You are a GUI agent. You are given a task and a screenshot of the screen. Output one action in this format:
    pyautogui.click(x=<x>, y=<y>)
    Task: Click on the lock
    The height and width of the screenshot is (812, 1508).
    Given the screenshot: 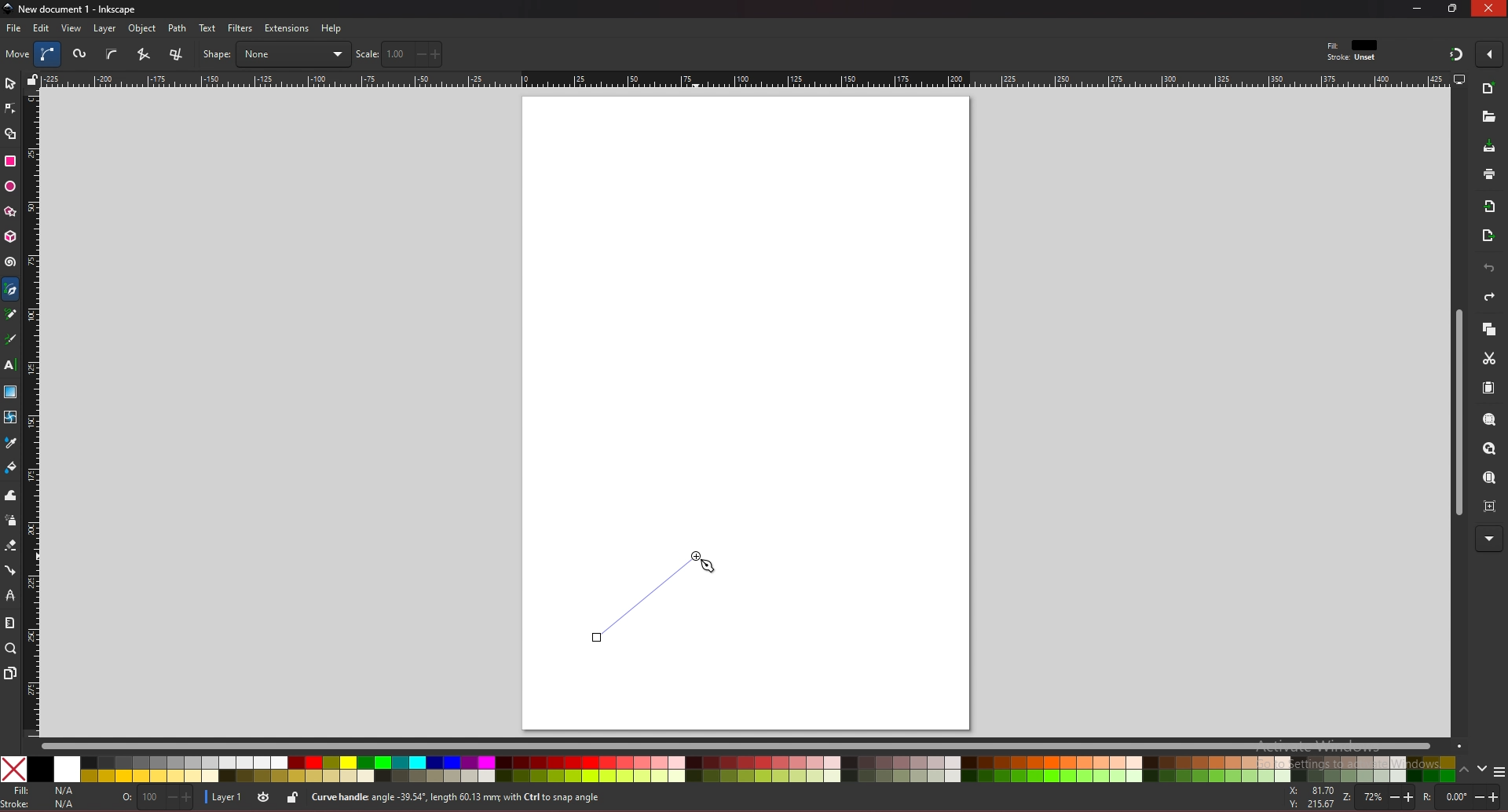 What is the action you would take?
    pyautogui.click(x=292, y=797)
    